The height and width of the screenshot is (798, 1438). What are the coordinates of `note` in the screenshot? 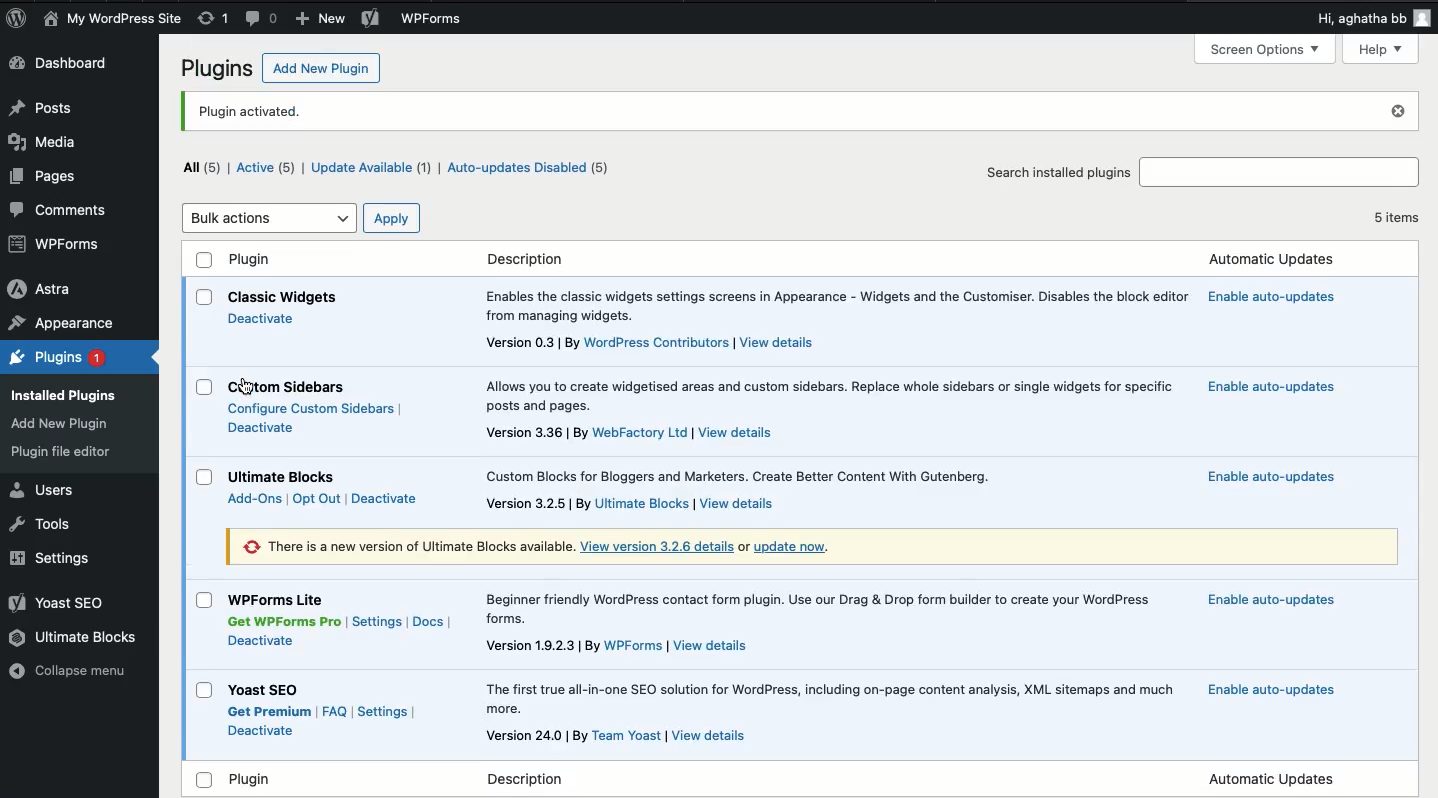 It's located at (402, 546).